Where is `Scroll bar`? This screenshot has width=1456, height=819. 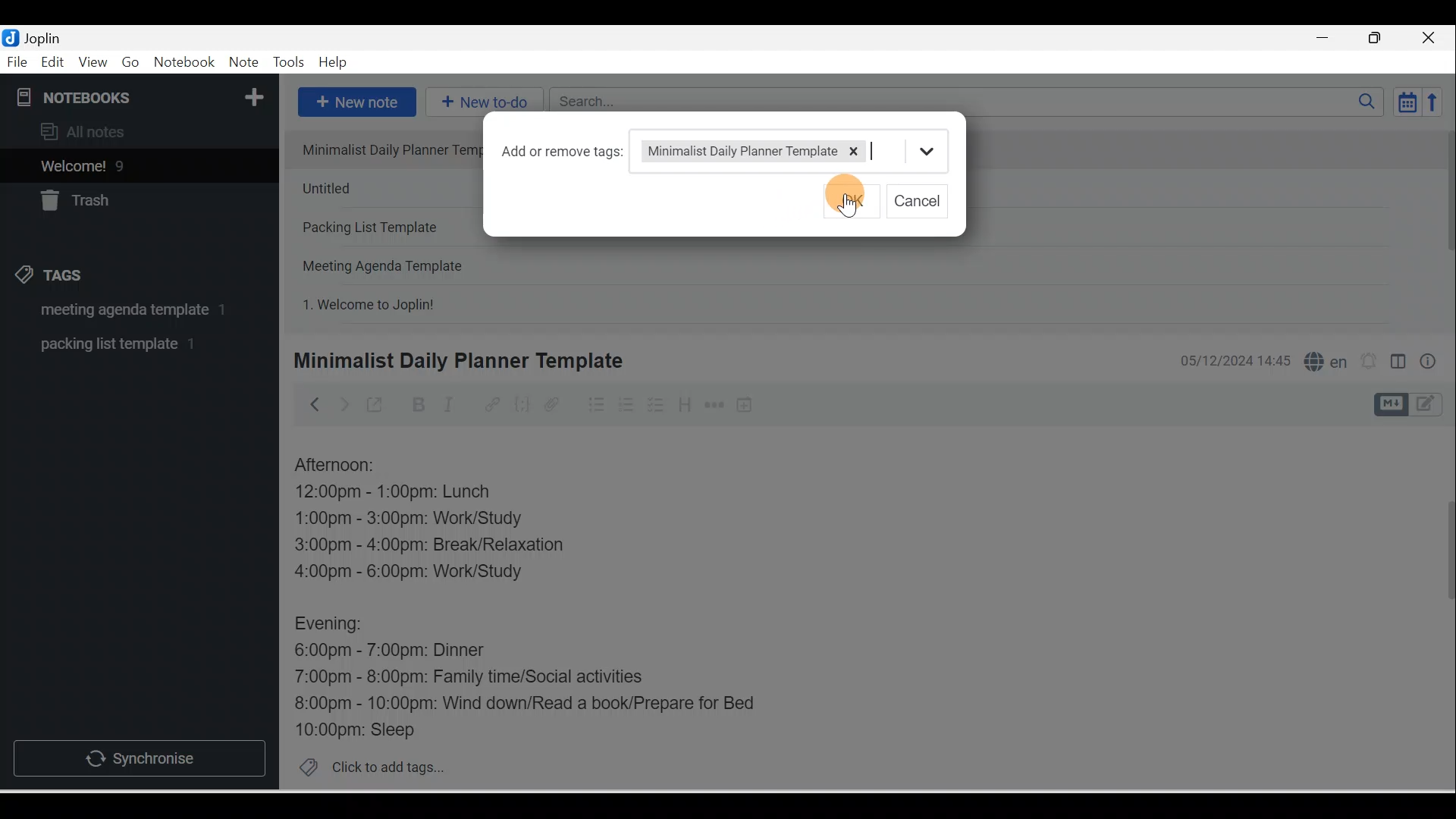
Scroll bar is located at coordinates (1444, 224).